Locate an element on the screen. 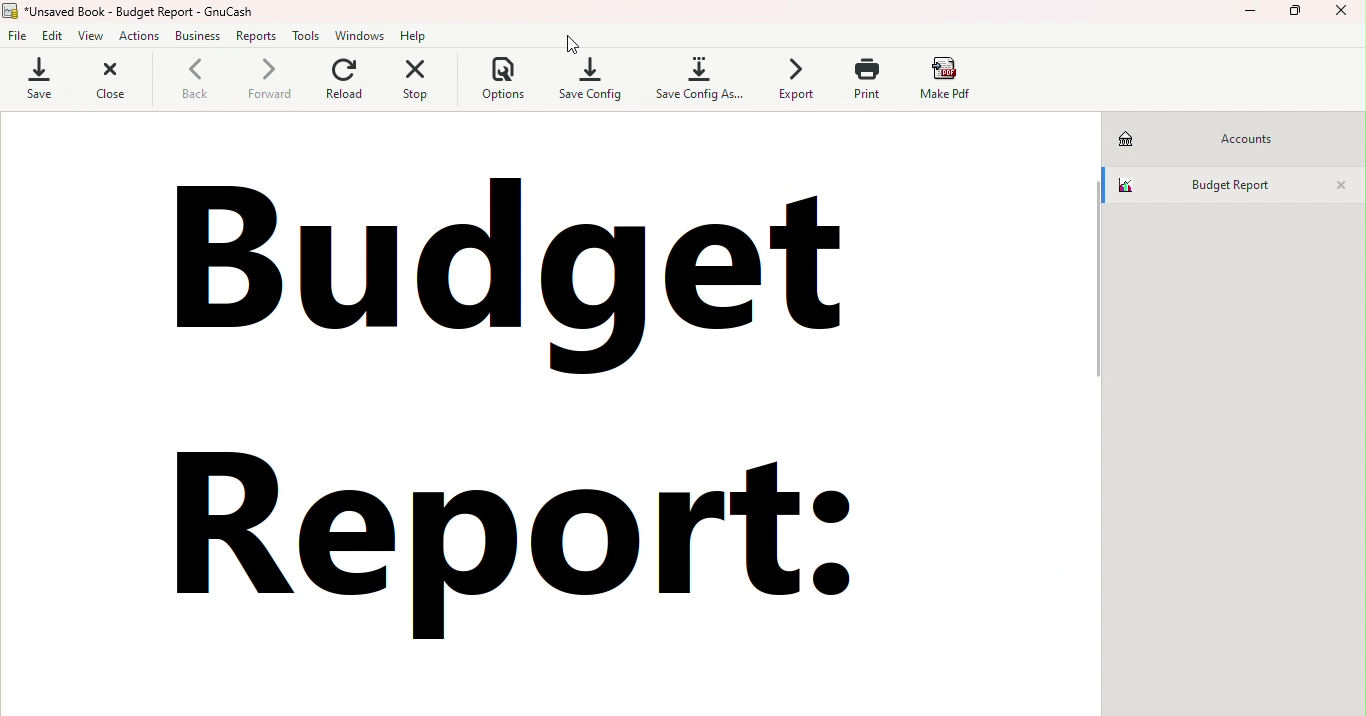 The width and height of the screenshot is (1366, 716). Reports is located at coordinates (256, 38).